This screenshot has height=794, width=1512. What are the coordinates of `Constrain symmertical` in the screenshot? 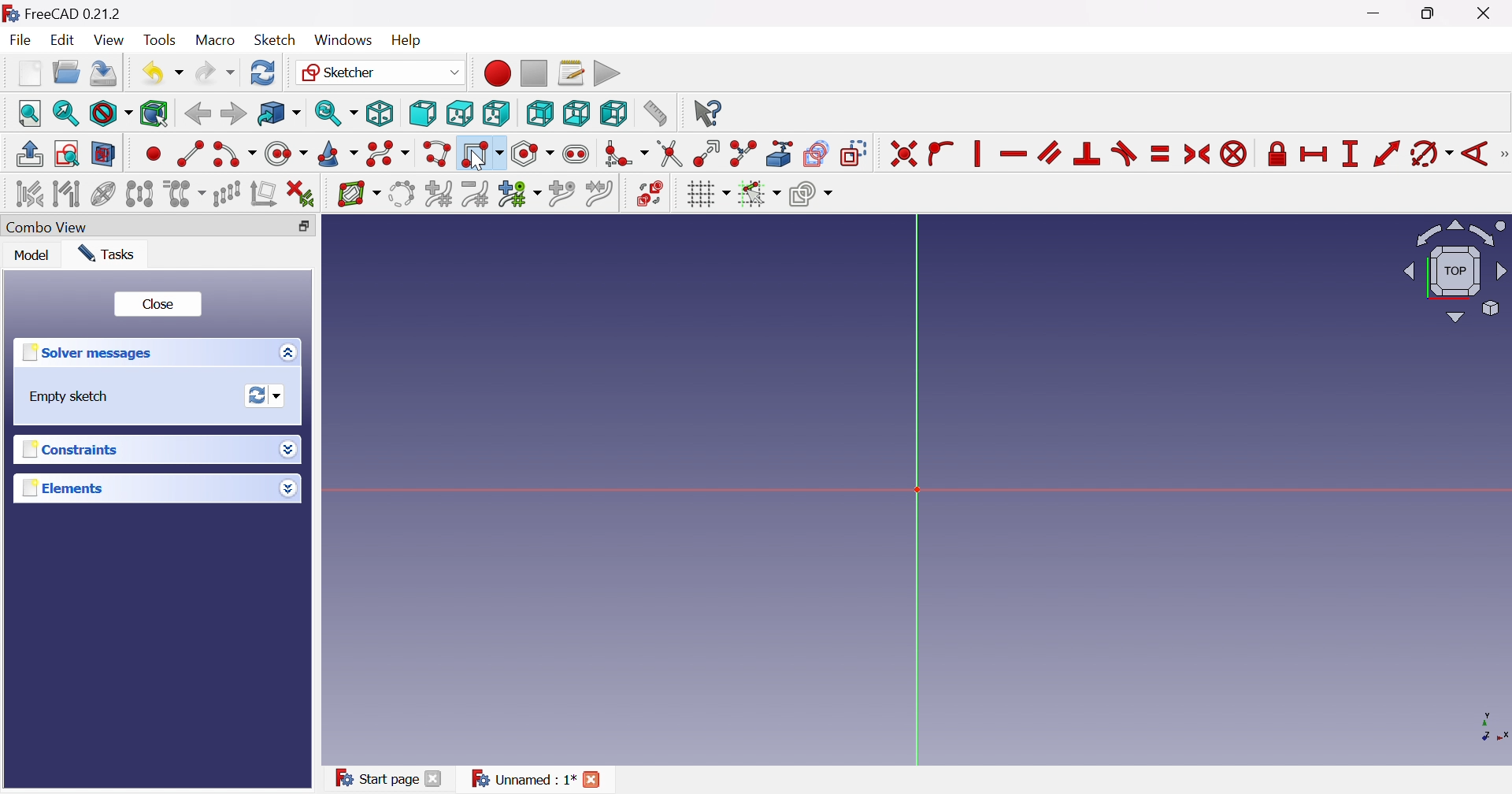 It's located at (1198, 154).